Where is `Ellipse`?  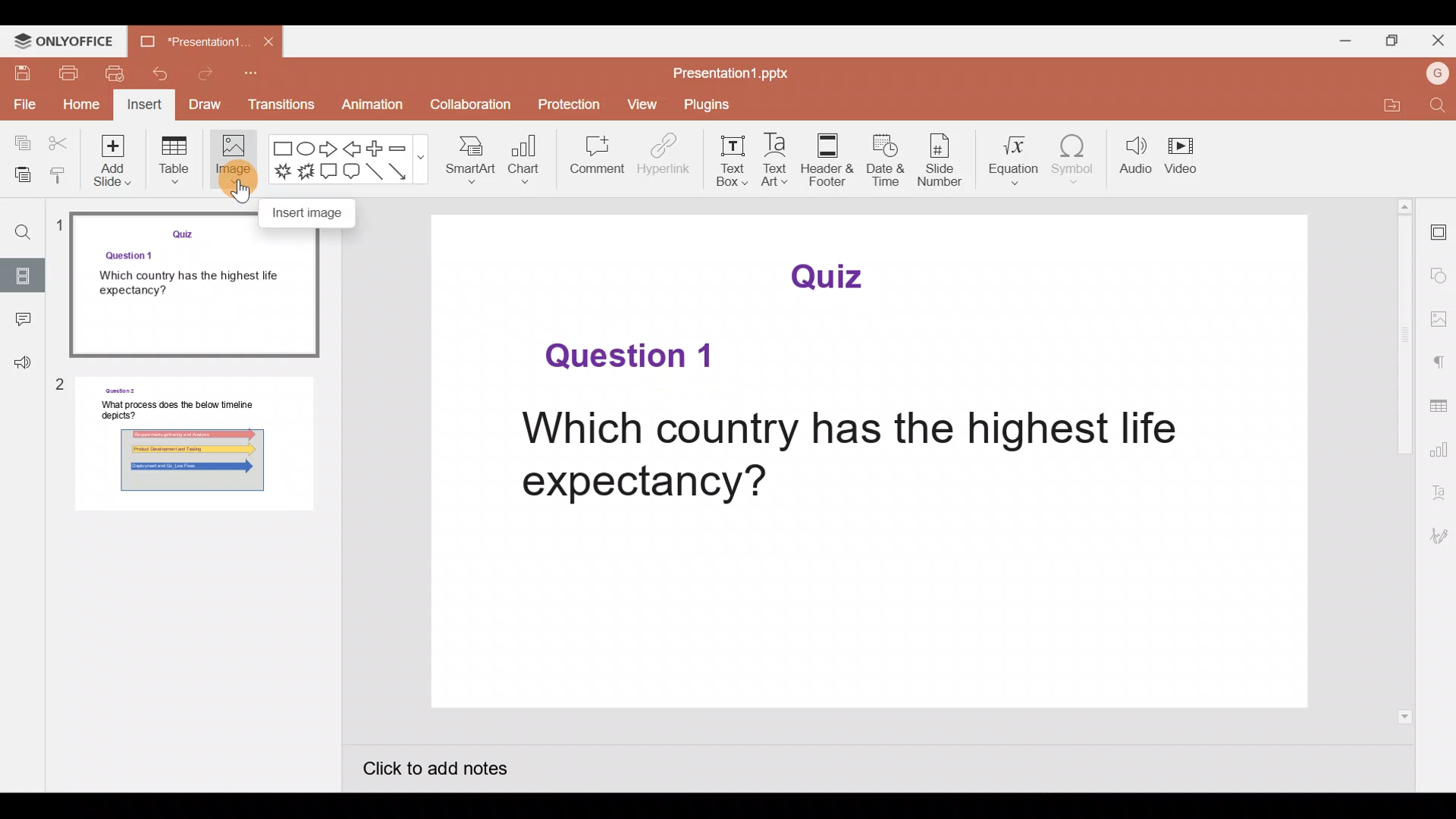
Ellipse is located at coordinates (306, 148).